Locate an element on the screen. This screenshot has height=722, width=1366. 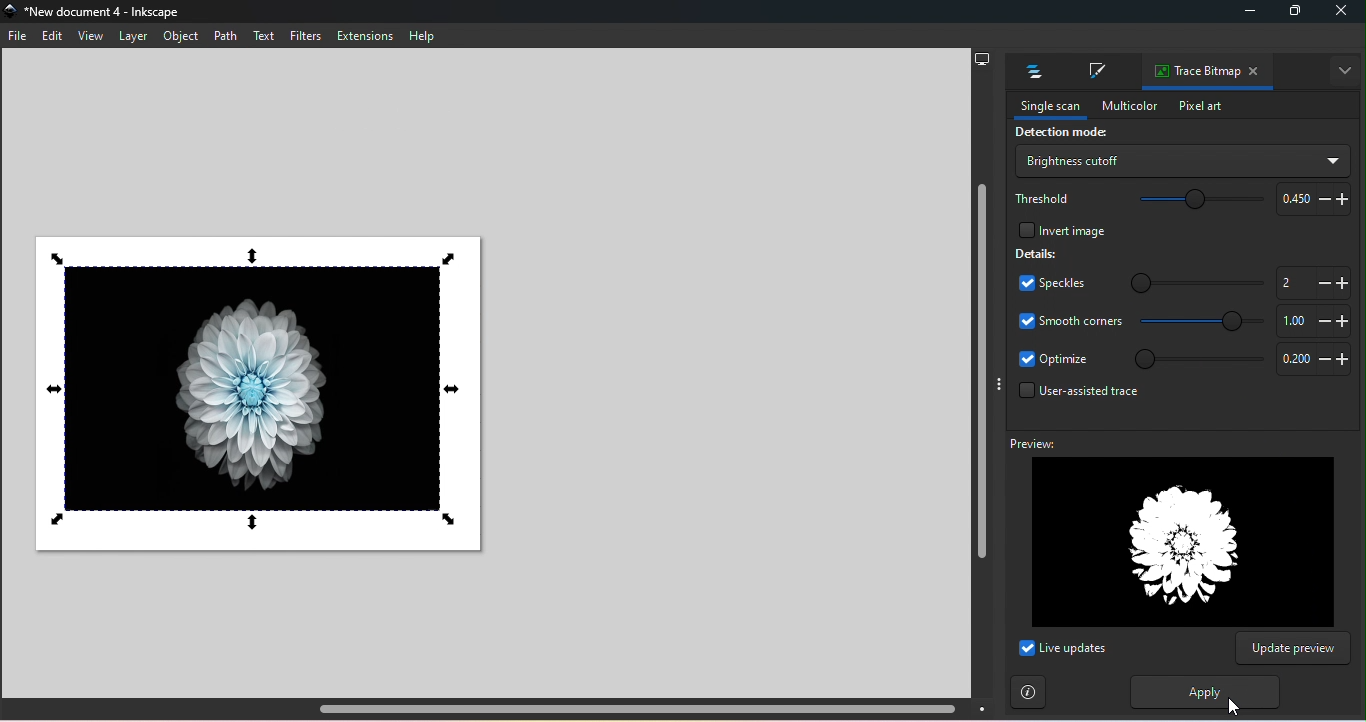
View is located at coordinates (88, 36).